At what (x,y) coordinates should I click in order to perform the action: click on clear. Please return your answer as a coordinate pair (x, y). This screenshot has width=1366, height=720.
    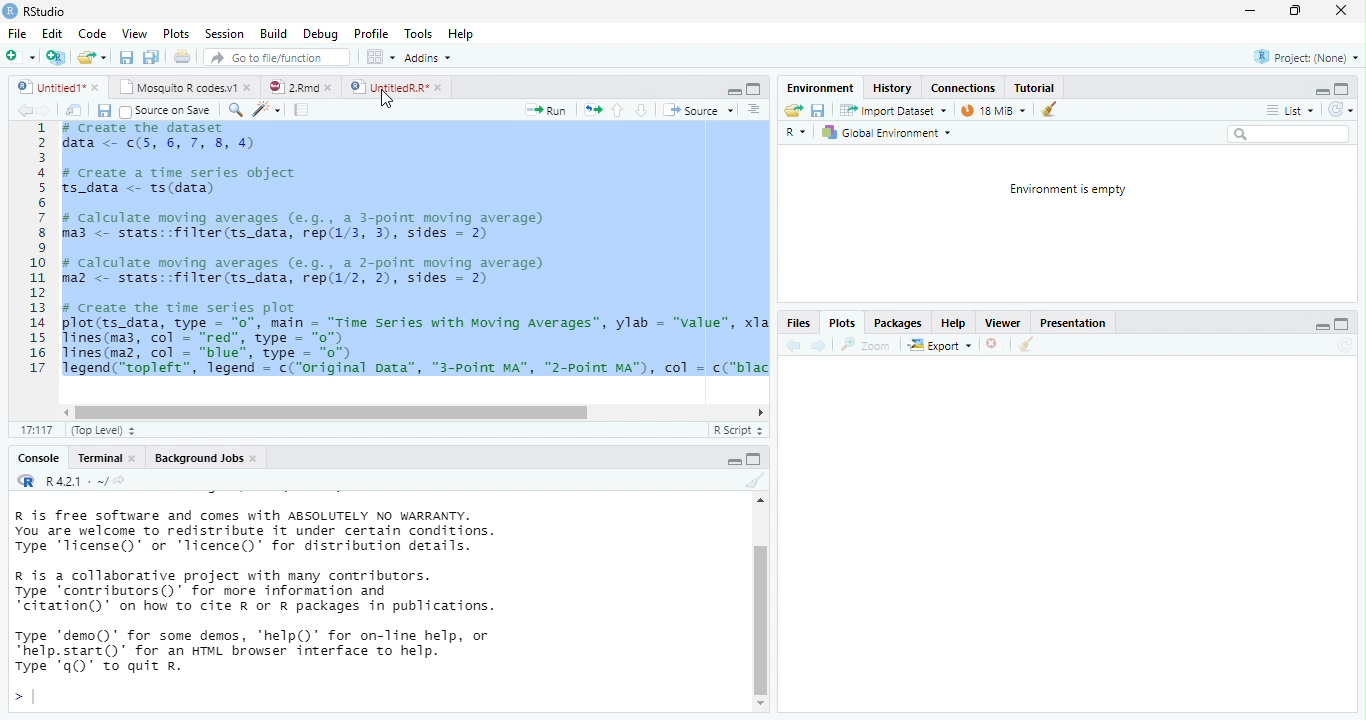
    Looking at the image, I should click on (1049, 108).